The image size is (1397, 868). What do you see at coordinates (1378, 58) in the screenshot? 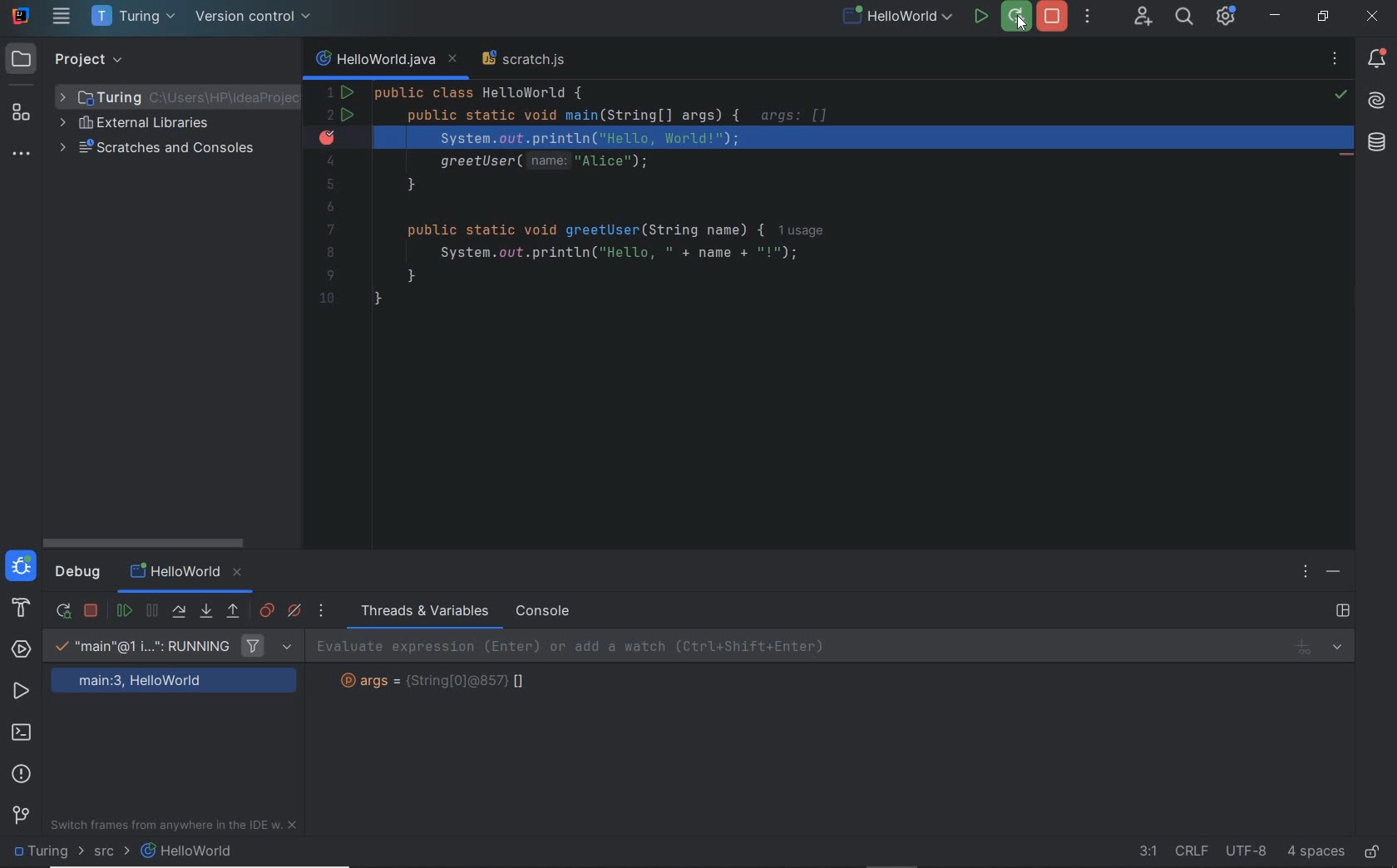
I see `notifications` at bounding box center [1378, 58].